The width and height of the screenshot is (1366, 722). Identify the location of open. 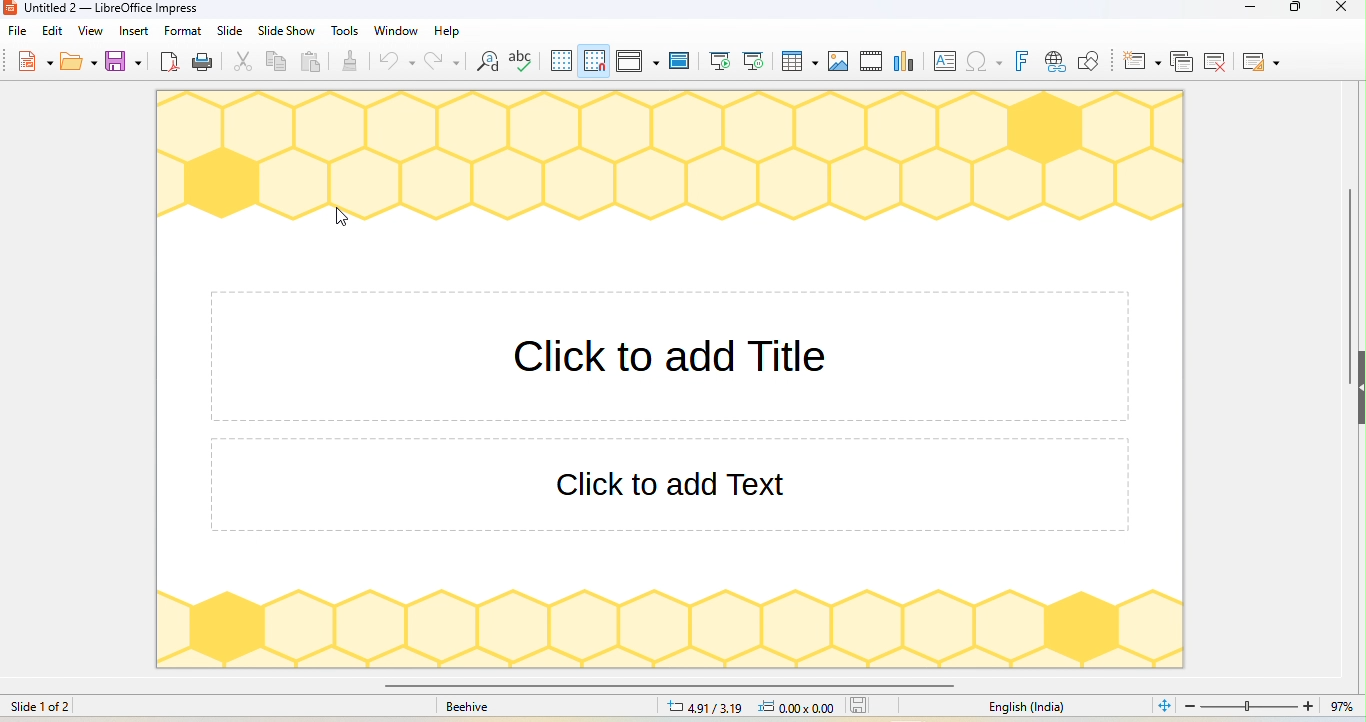
(79, 60).